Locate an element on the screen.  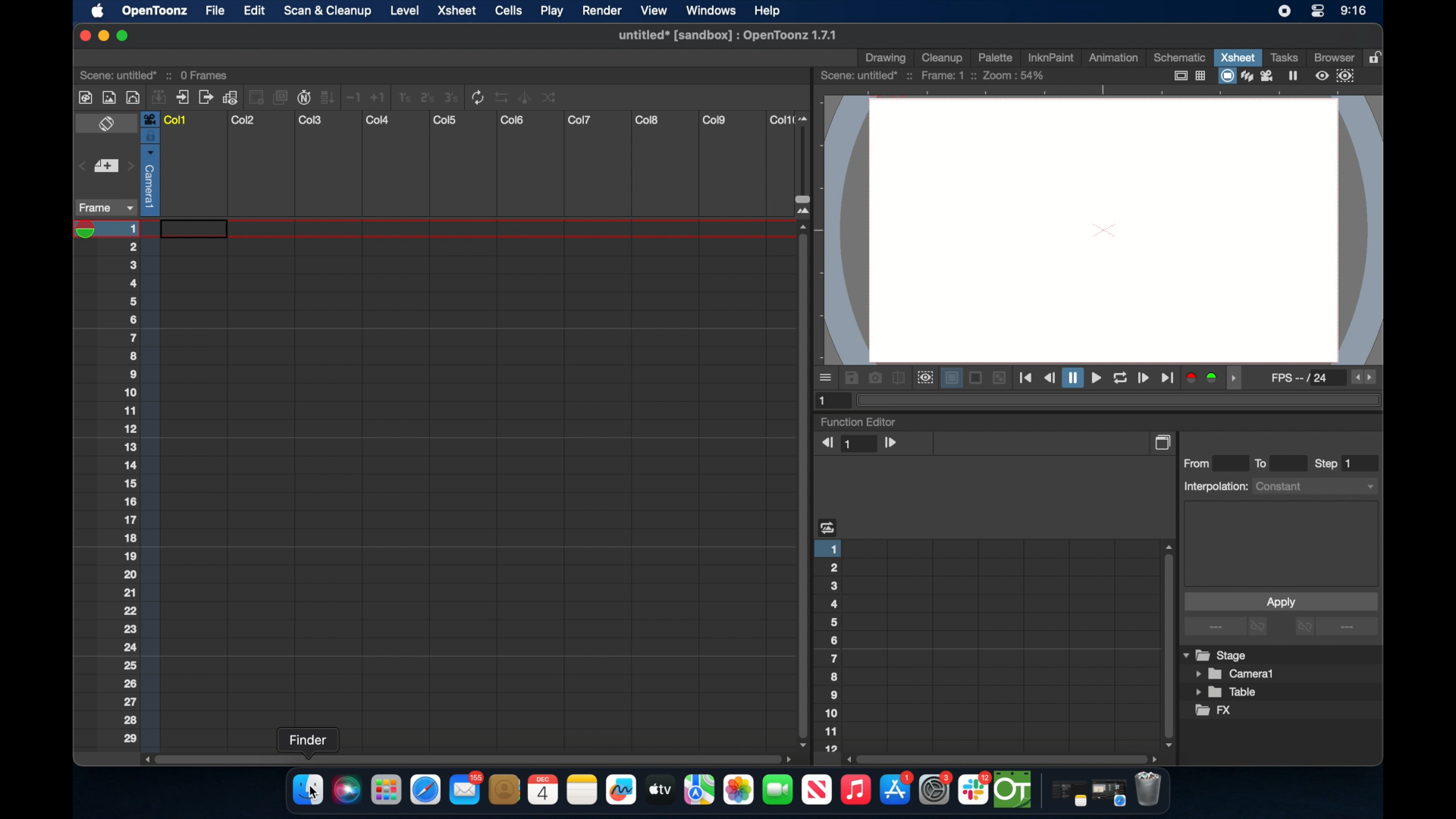
heading is located at coordinates (828, 526).